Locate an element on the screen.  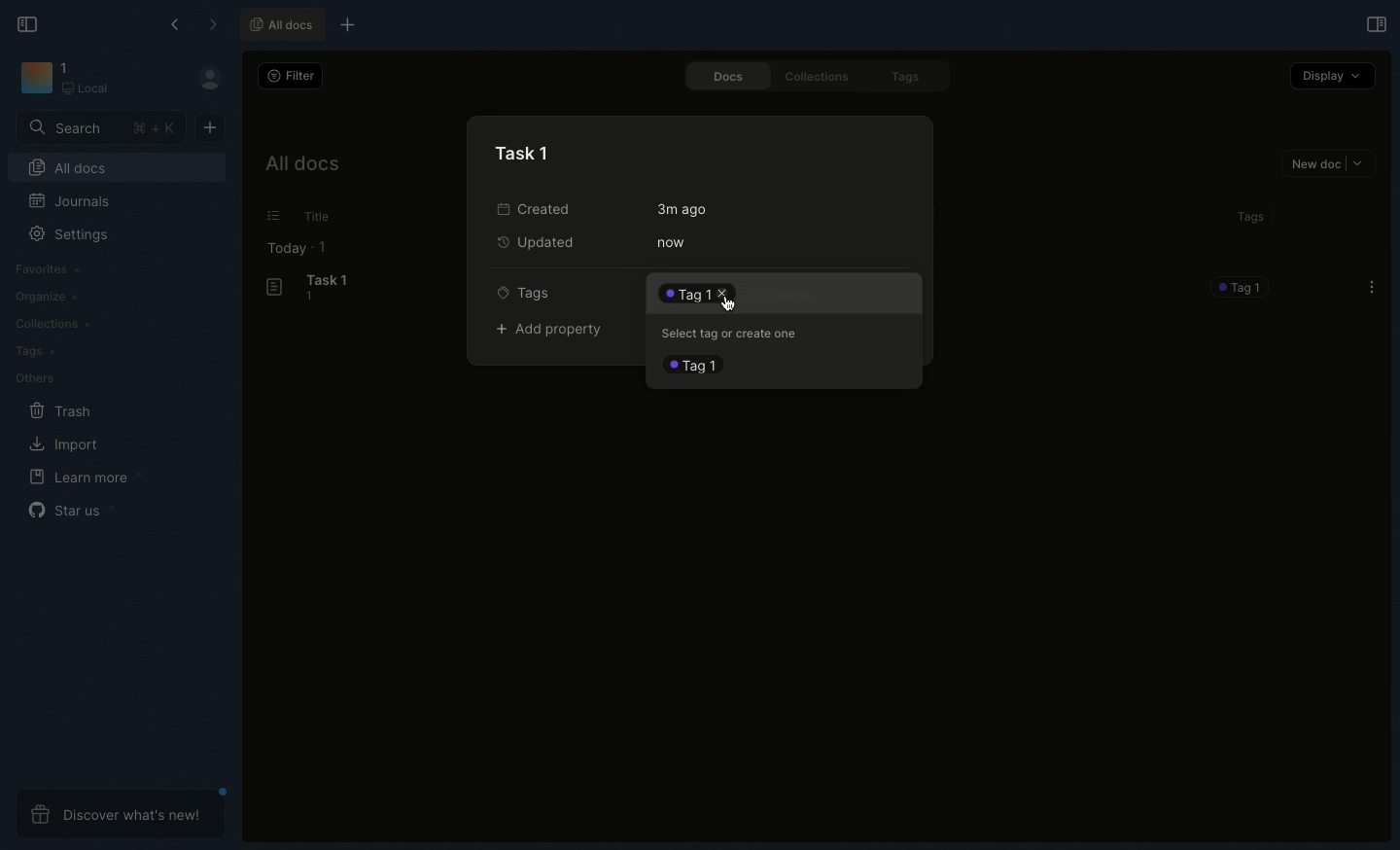
Display + is located at coordinates (1331, 78).